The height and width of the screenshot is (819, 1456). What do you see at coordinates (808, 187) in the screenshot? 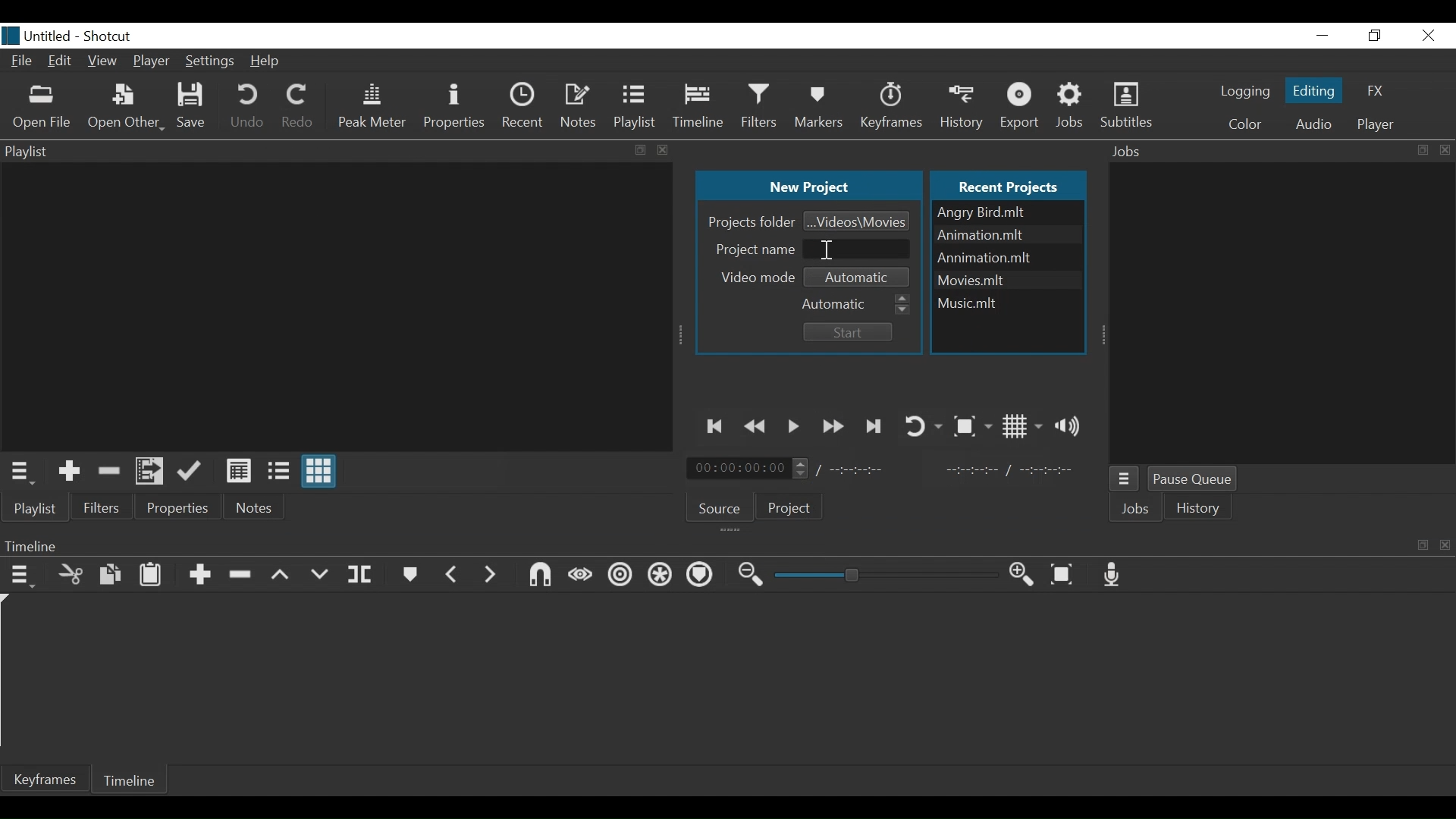
I see `New Project` at bounding box center [808, 187].